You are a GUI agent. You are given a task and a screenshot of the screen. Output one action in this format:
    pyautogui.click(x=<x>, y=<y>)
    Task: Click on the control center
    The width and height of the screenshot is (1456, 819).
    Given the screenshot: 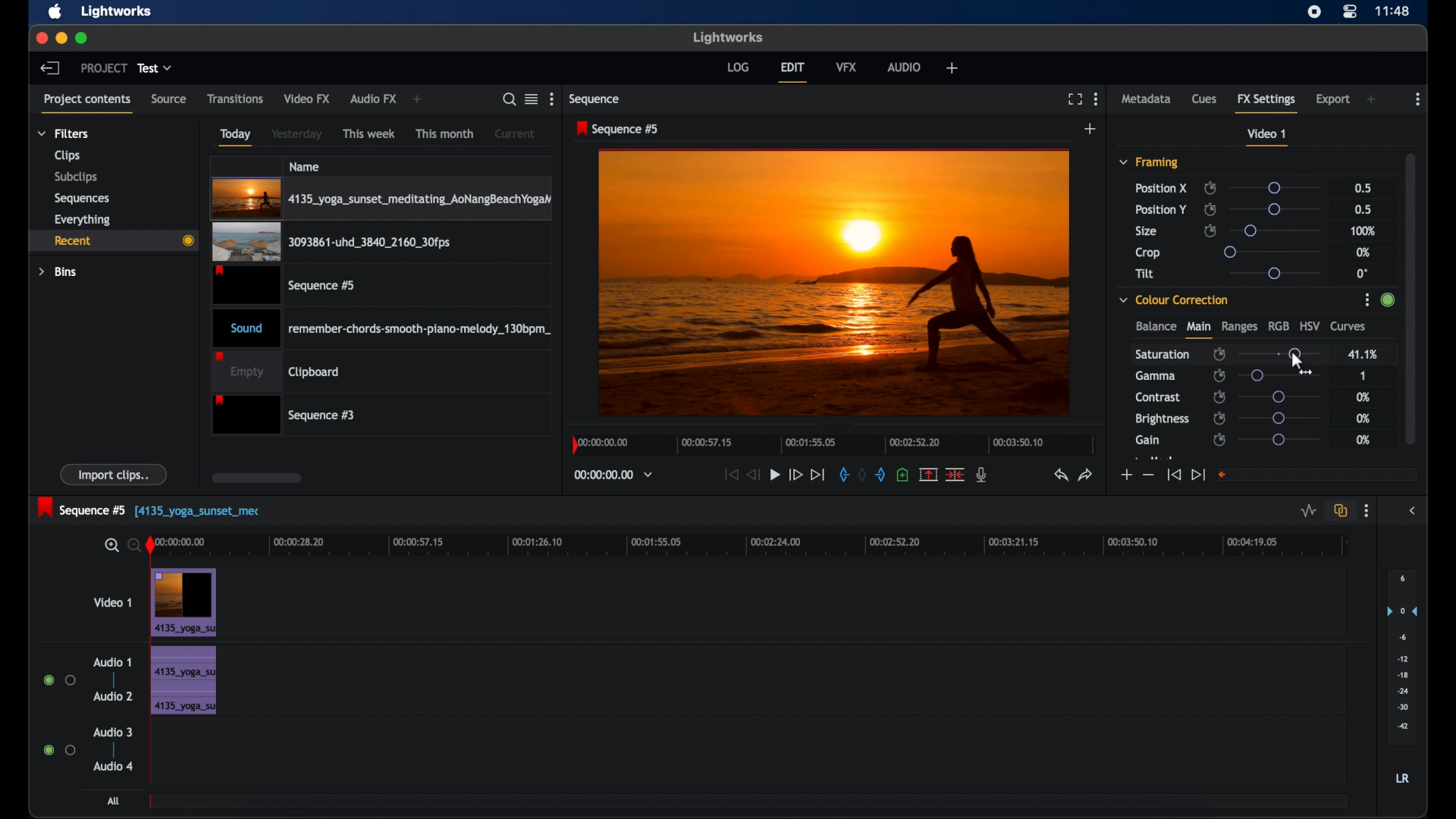 What is the action you would take?
    pyautogui.click(x=1351, y=11)
    